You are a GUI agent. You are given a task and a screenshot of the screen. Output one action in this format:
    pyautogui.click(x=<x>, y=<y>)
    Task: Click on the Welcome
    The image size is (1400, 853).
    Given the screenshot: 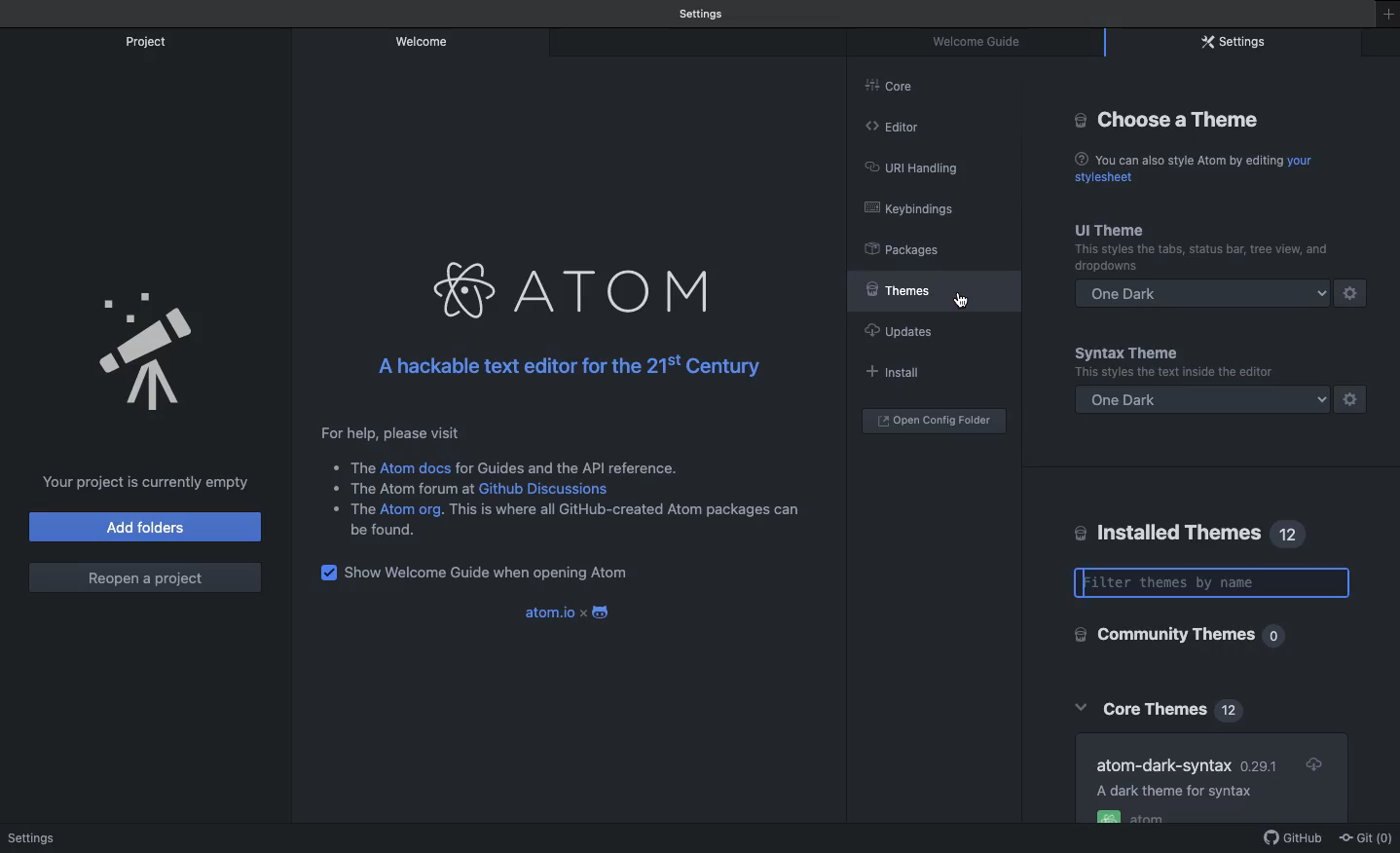 What is the action you would take?
    pyautogui.click(x=422, y=42)
    